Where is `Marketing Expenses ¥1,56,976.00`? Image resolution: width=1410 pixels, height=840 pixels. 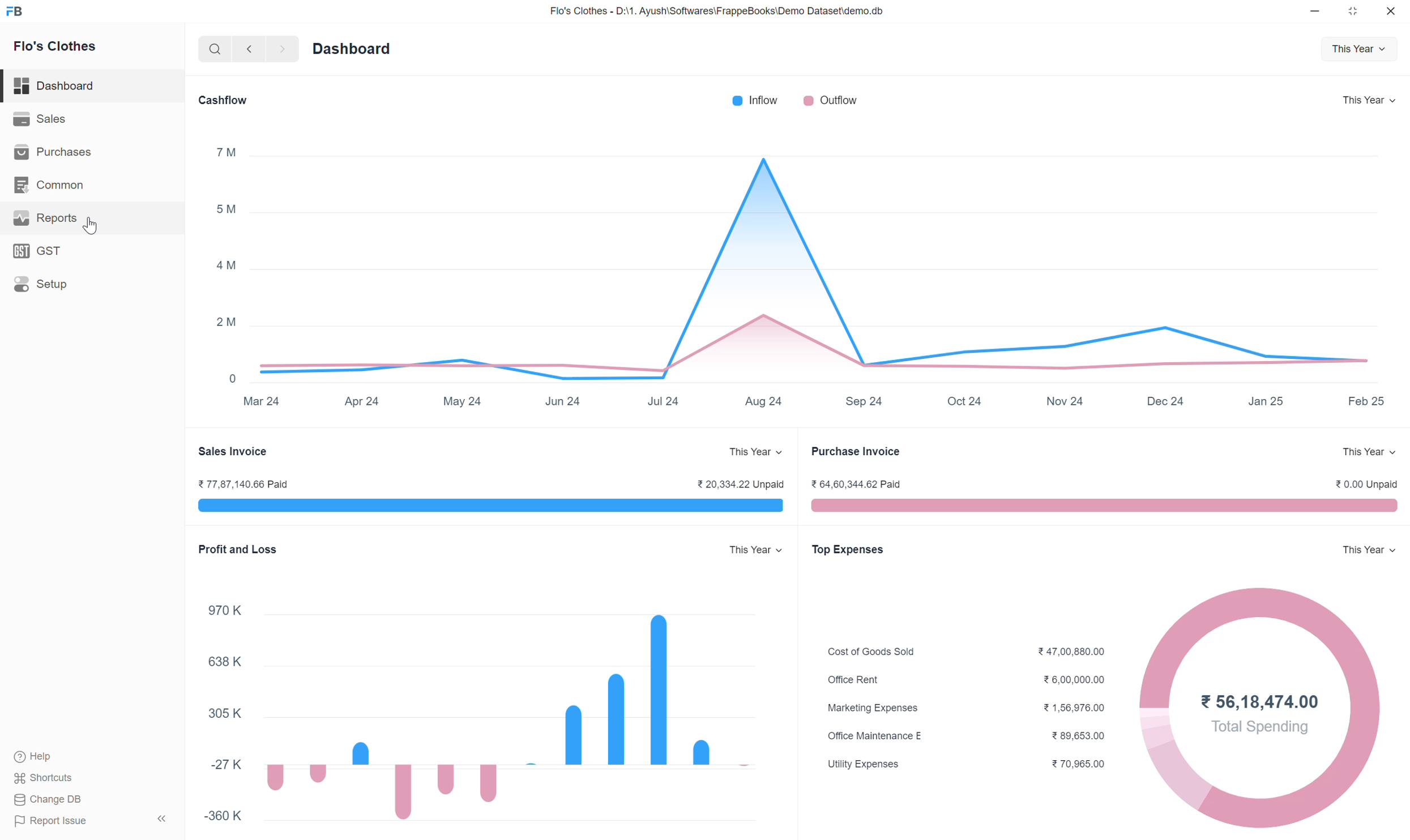 Marketing Expenses ¥1,56,976.00 is located at coordinates (965, 710).